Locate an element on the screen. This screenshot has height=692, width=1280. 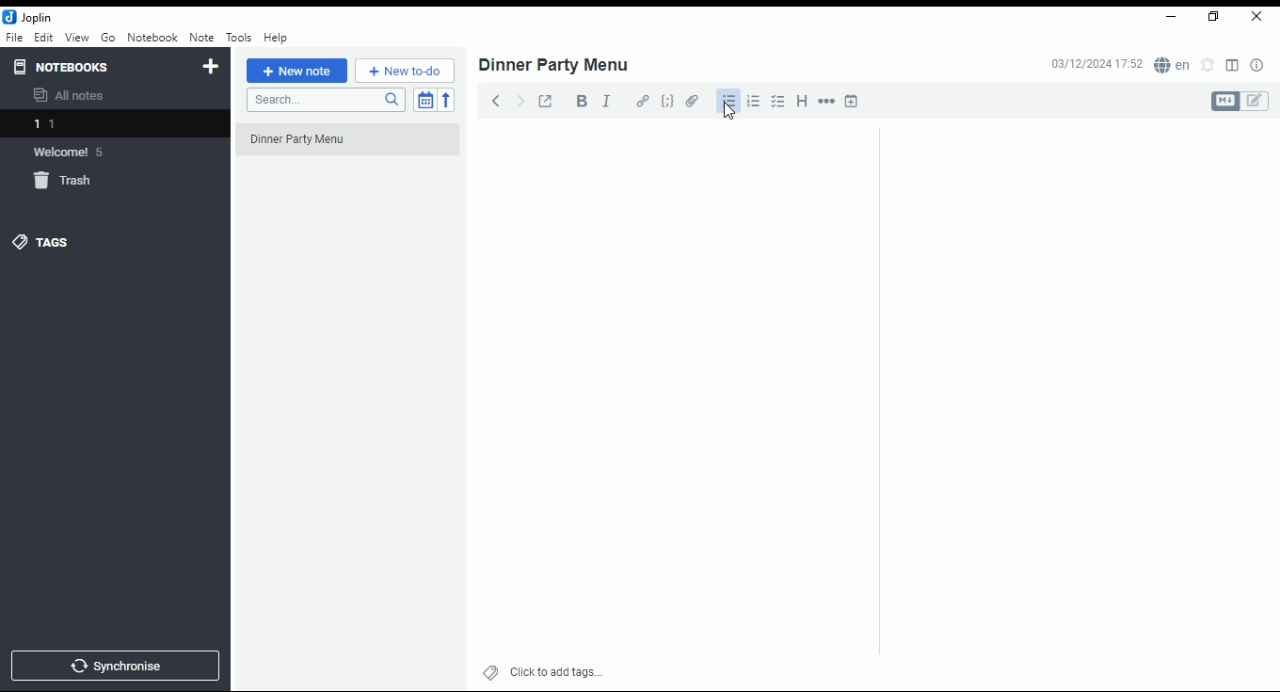
joplin is located at coordinates (29, 17).